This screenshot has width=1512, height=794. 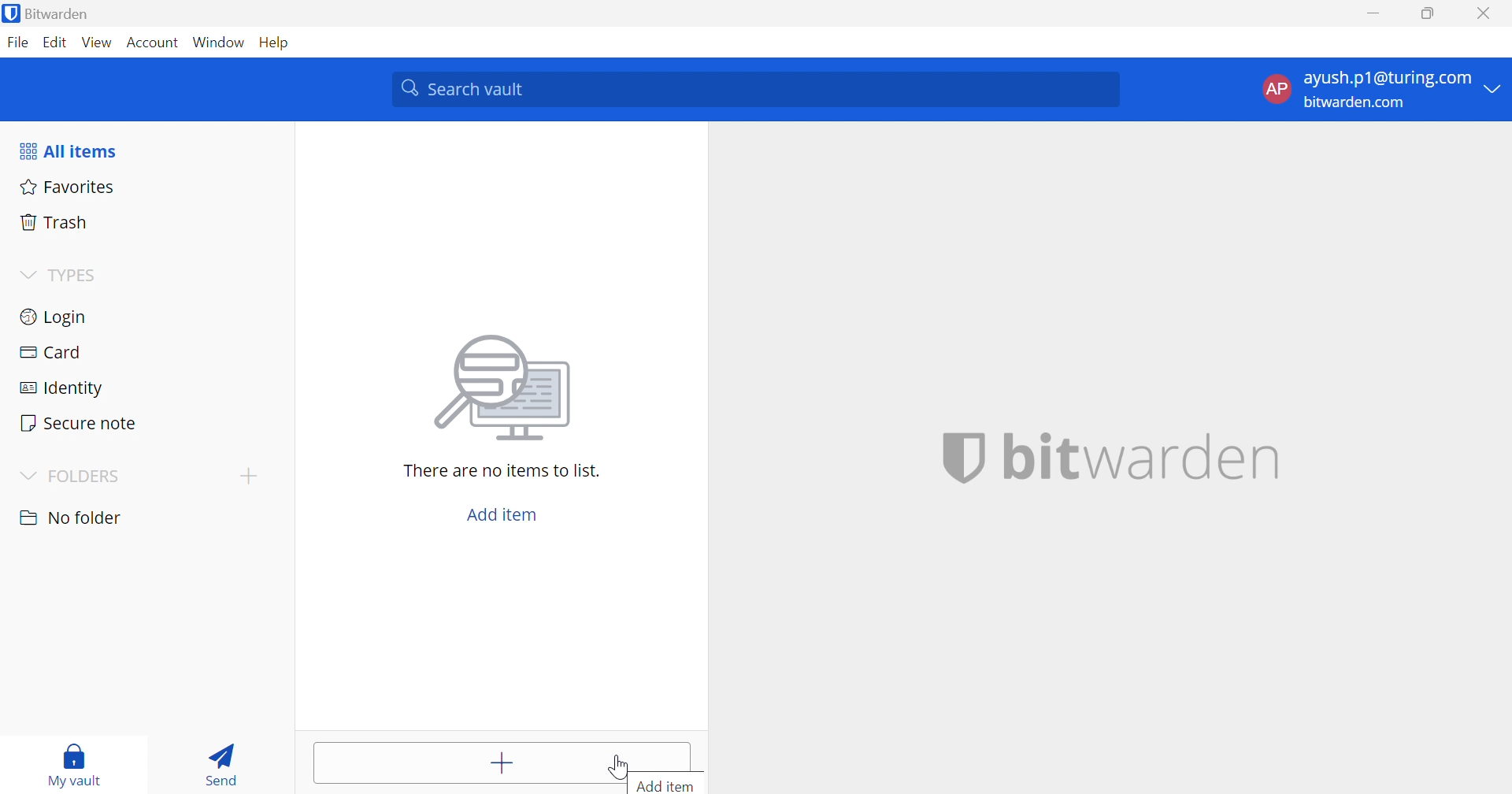 What do you see at coordinates (220, 43) in the screenshot?
I see `Window` at bounding box center [220, 43].